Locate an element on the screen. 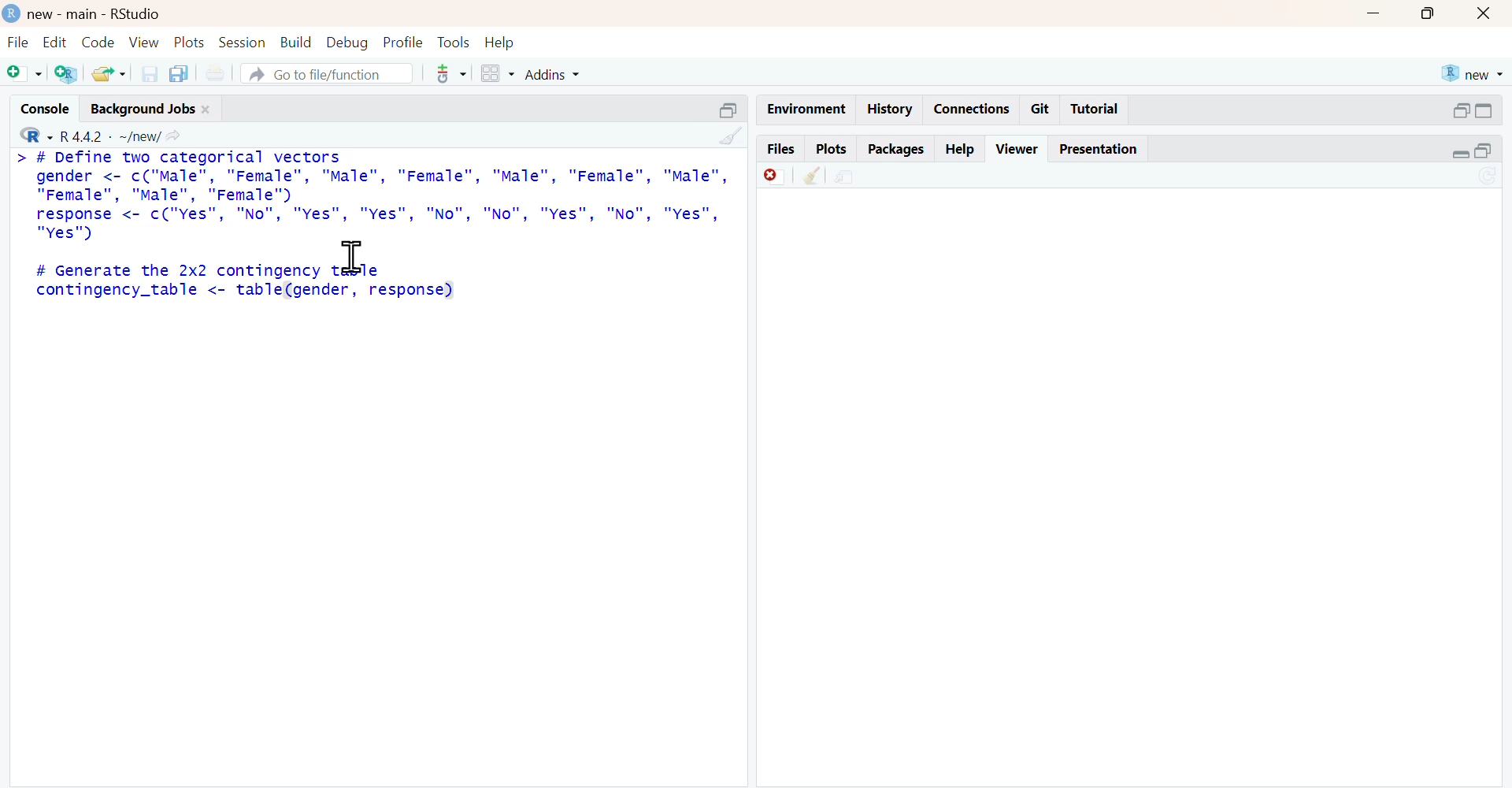 The height and width of the screenshot is (788, 1512). help is located at coordinates (961, 151).